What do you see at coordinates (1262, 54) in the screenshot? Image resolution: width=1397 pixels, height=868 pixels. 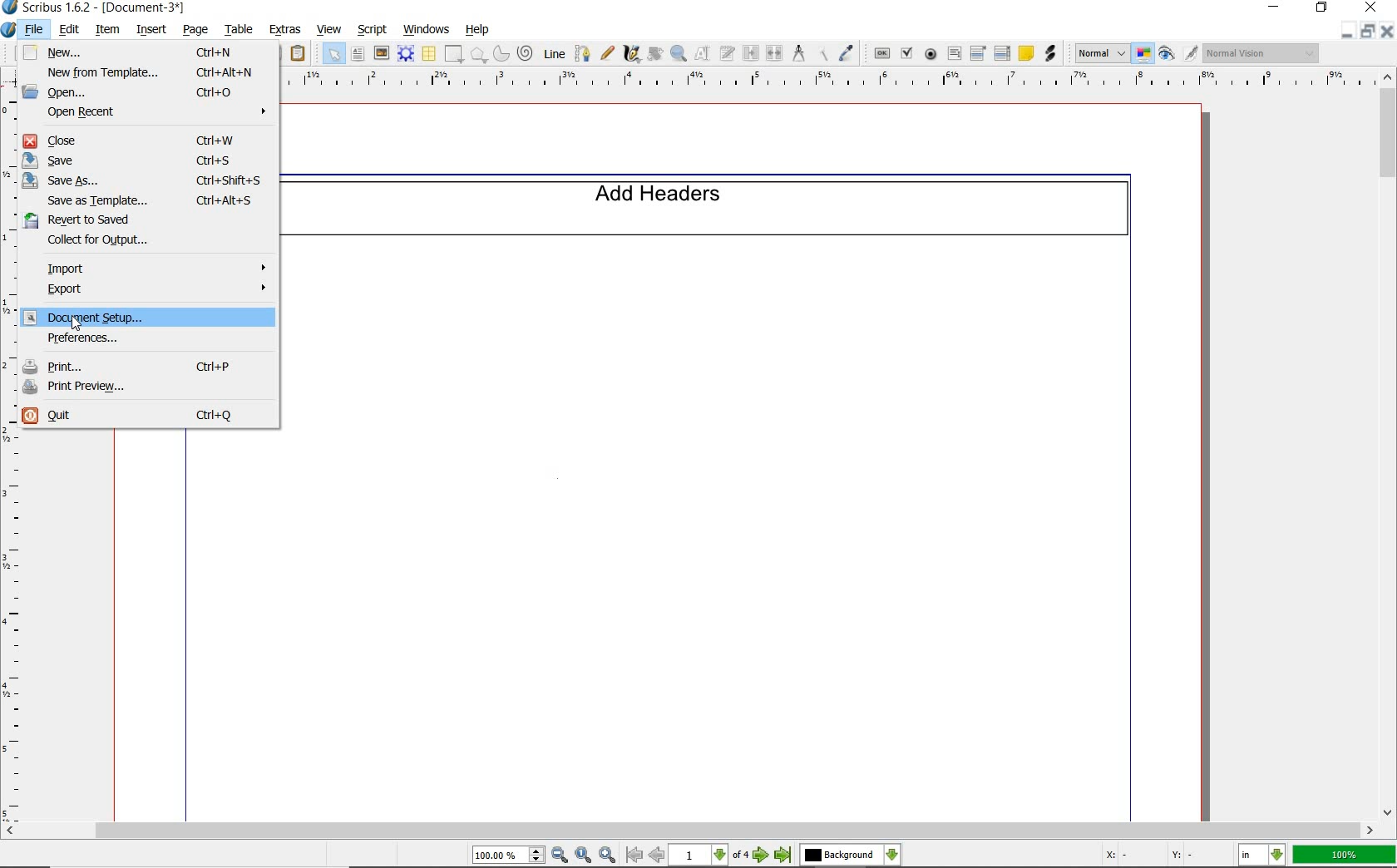 I see `visual appearance of the display` at bounding box center [1262, 54].